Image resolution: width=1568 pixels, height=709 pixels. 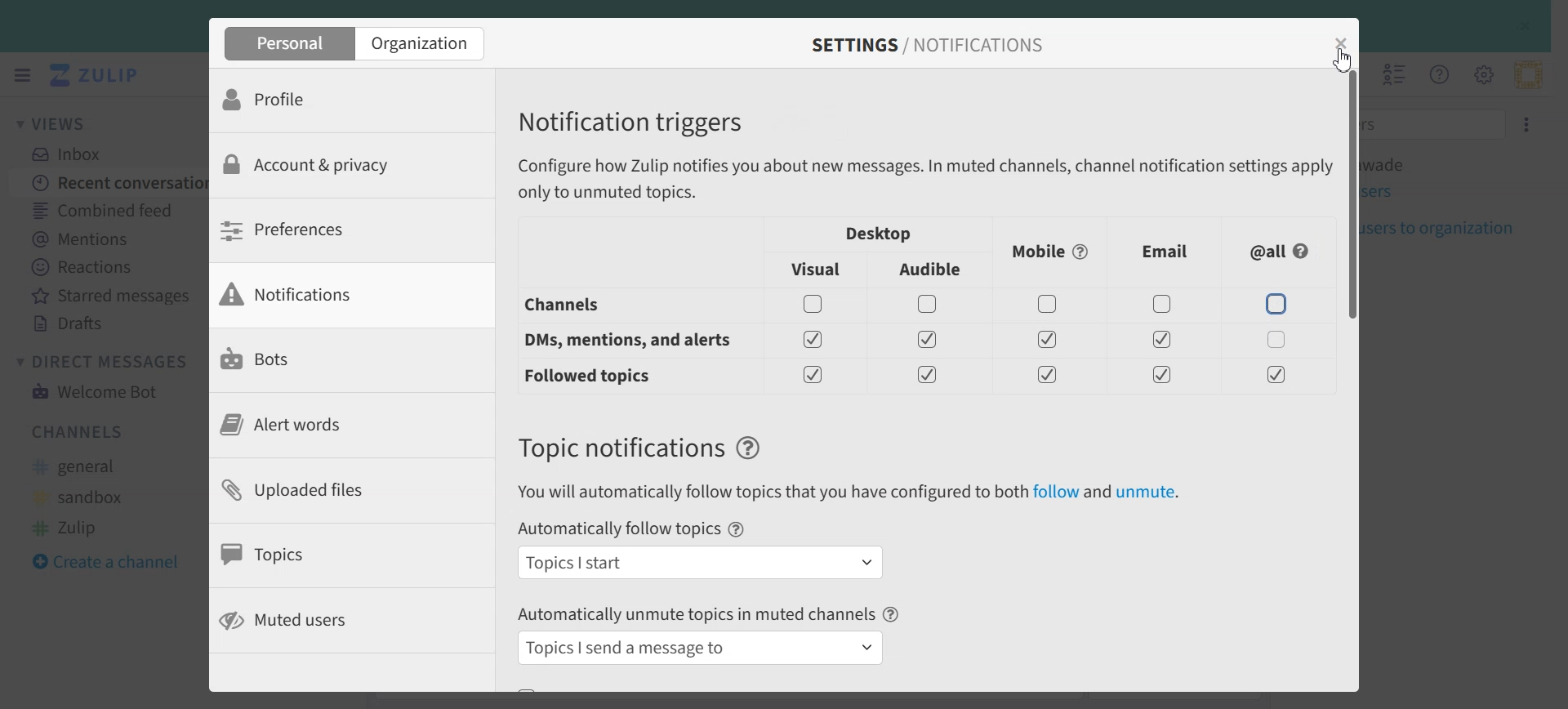 What do you see at coordinates (332, 100) in the screenshot?
I see `Profile` at bounding box center [332, 100].